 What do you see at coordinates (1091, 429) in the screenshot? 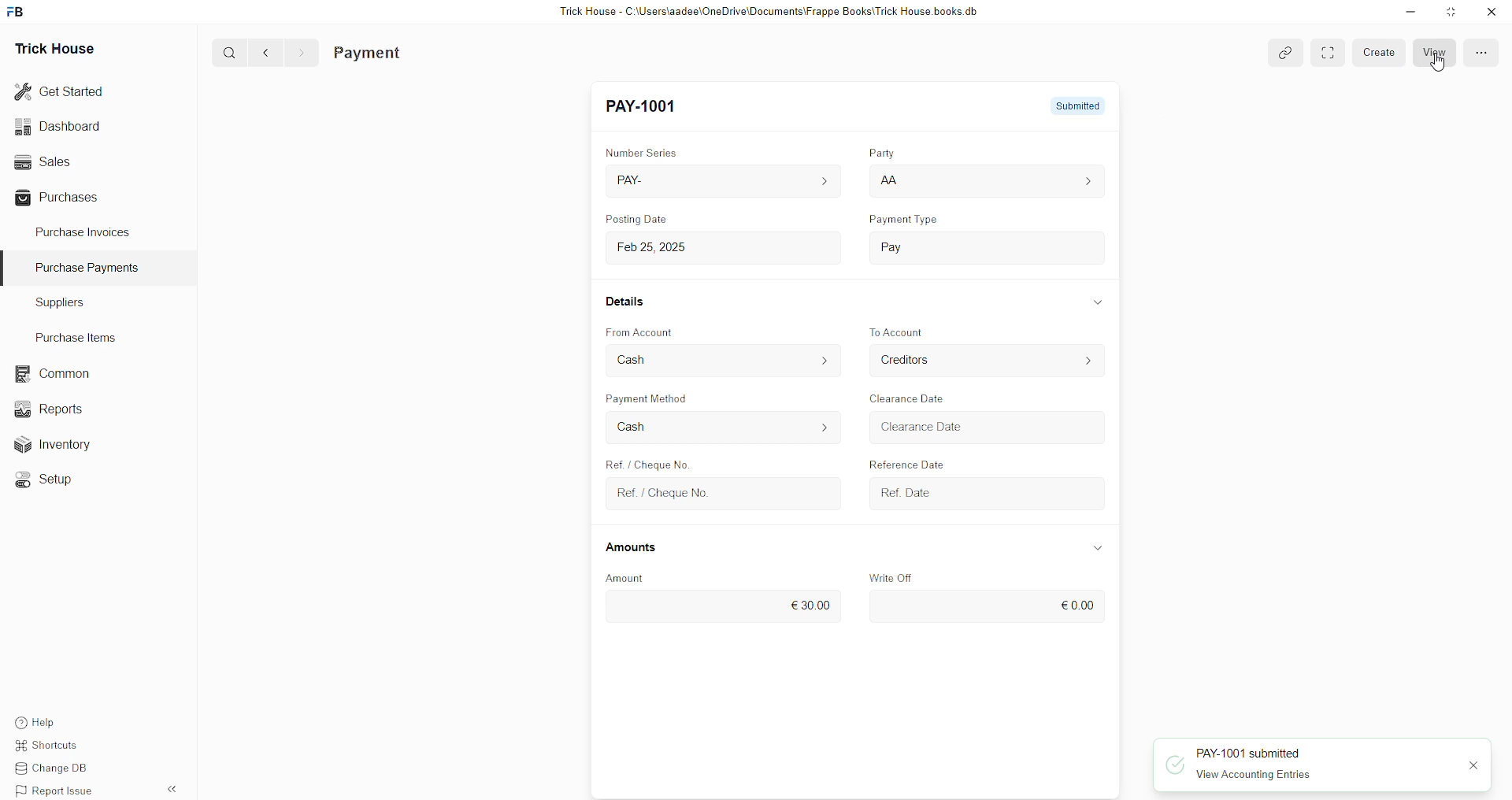
I see `calendar` at bounding box center [1091, 429].